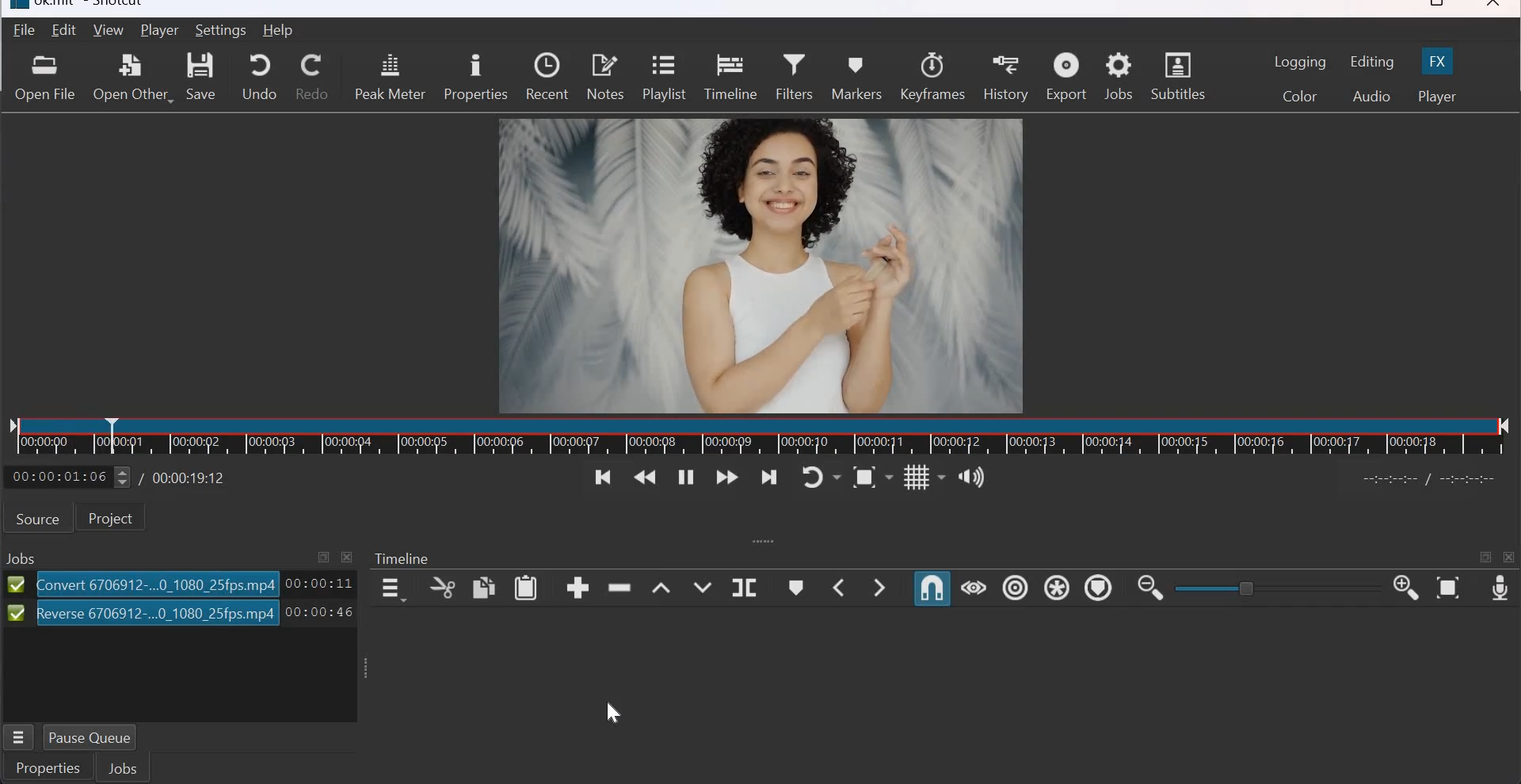 The width and height of the screenshot is (1521, 784). I want to click on Duration, so click(320, 583).